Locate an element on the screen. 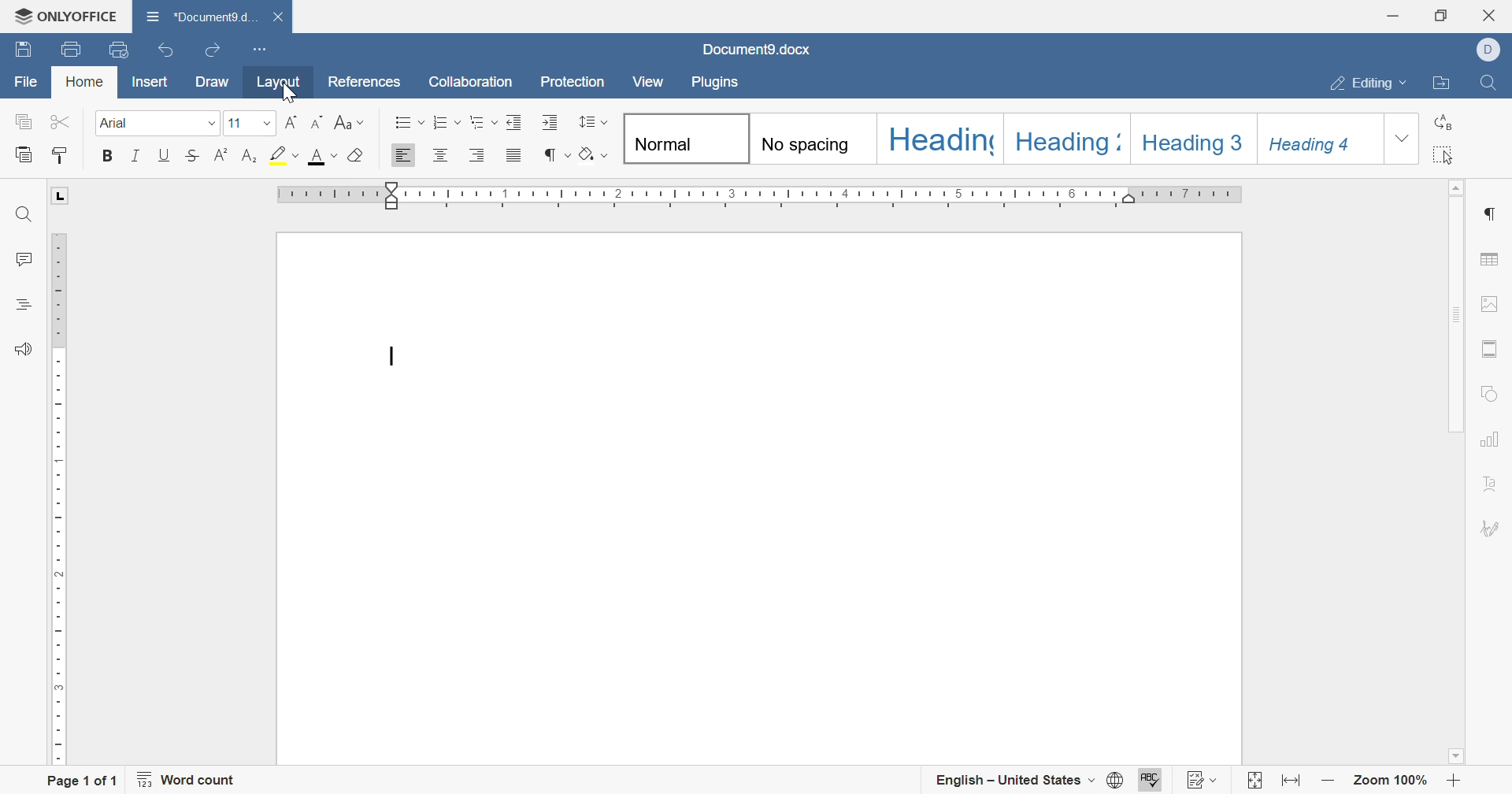  fit to page is located at coordinates (1253, 783).